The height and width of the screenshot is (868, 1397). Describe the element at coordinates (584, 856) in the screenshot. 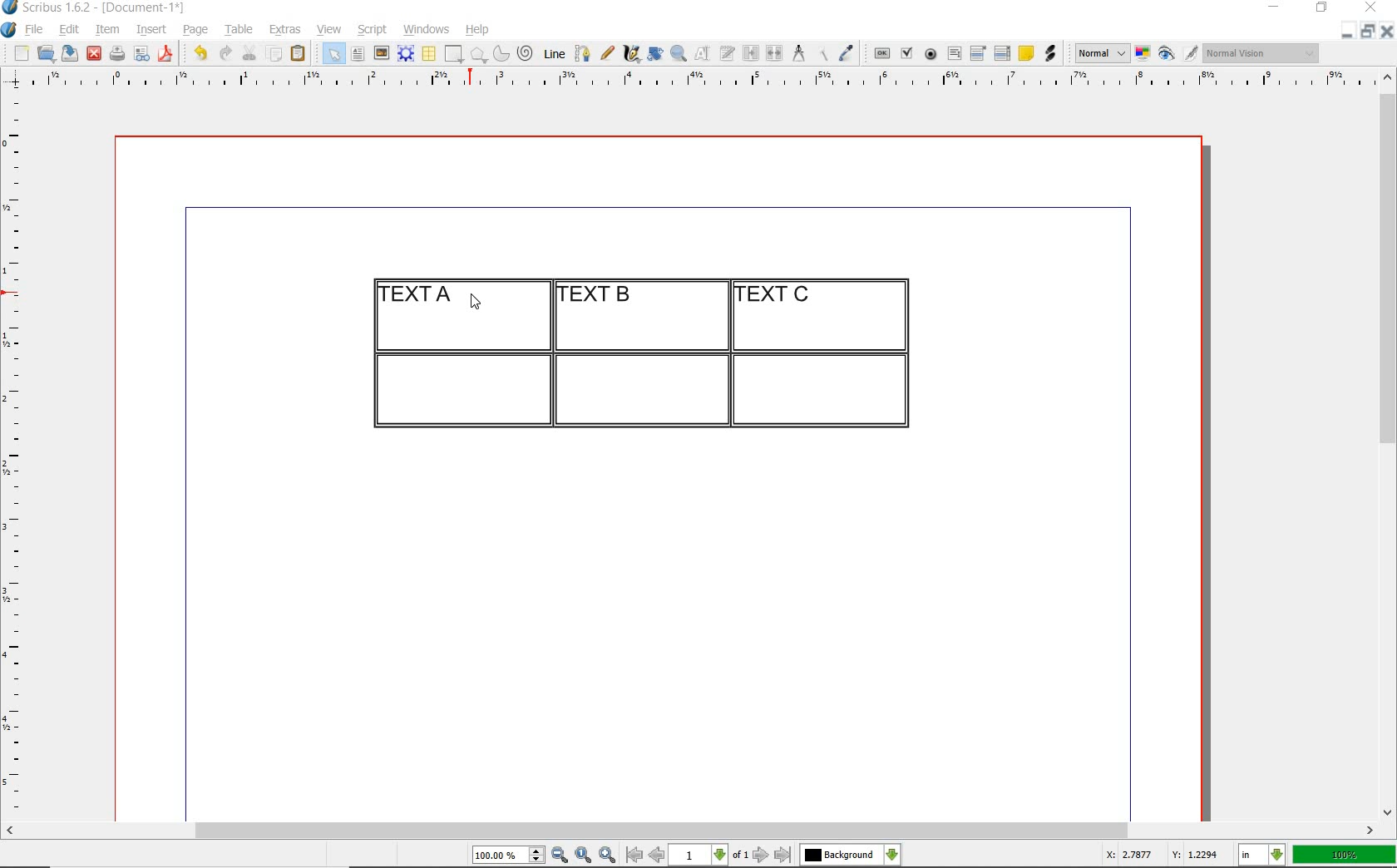

I see `zoom to` at that location.